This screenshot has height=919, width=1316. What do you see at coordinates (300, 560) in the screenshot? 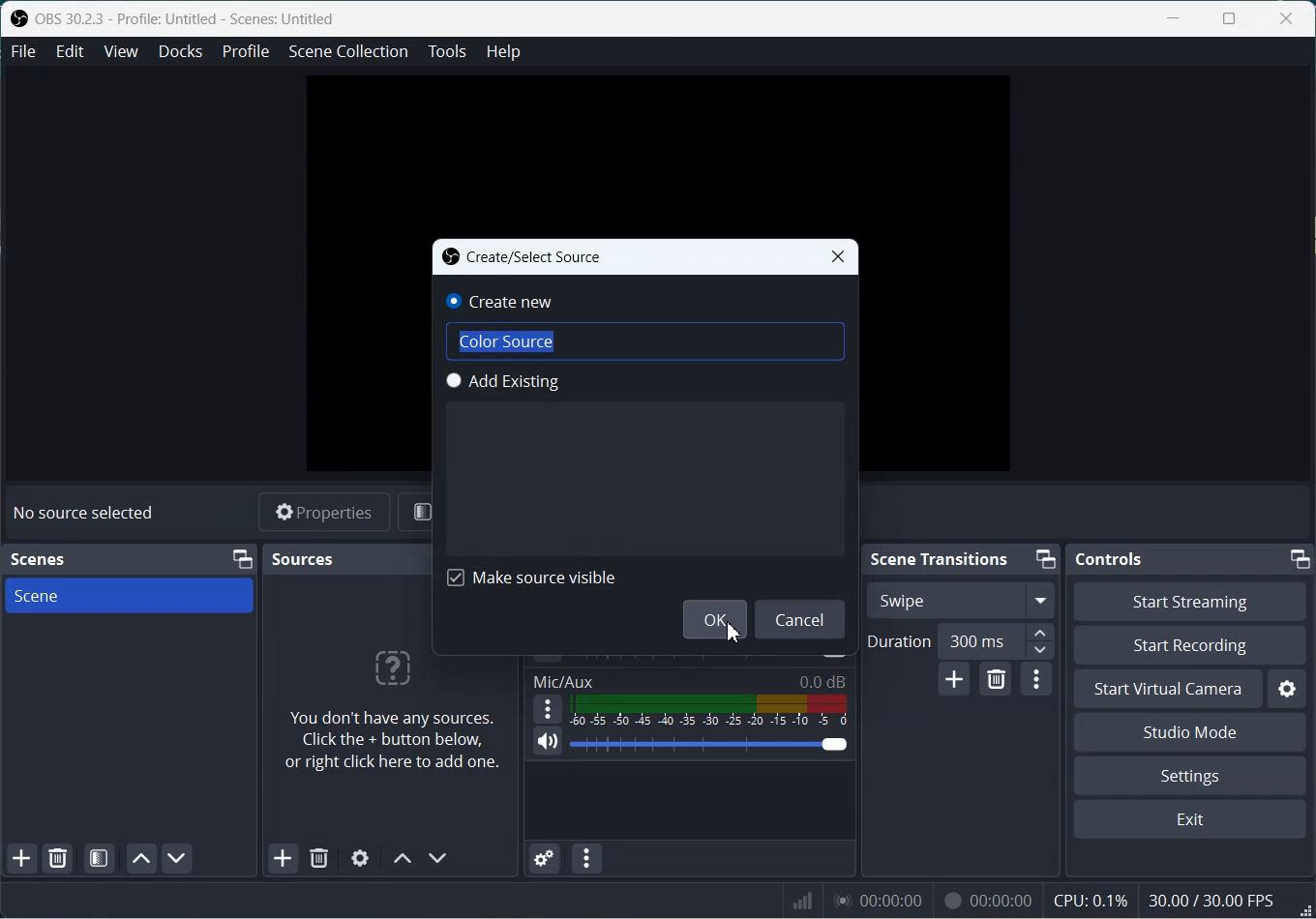
I see `Sources` at bounding box center [300, 560].